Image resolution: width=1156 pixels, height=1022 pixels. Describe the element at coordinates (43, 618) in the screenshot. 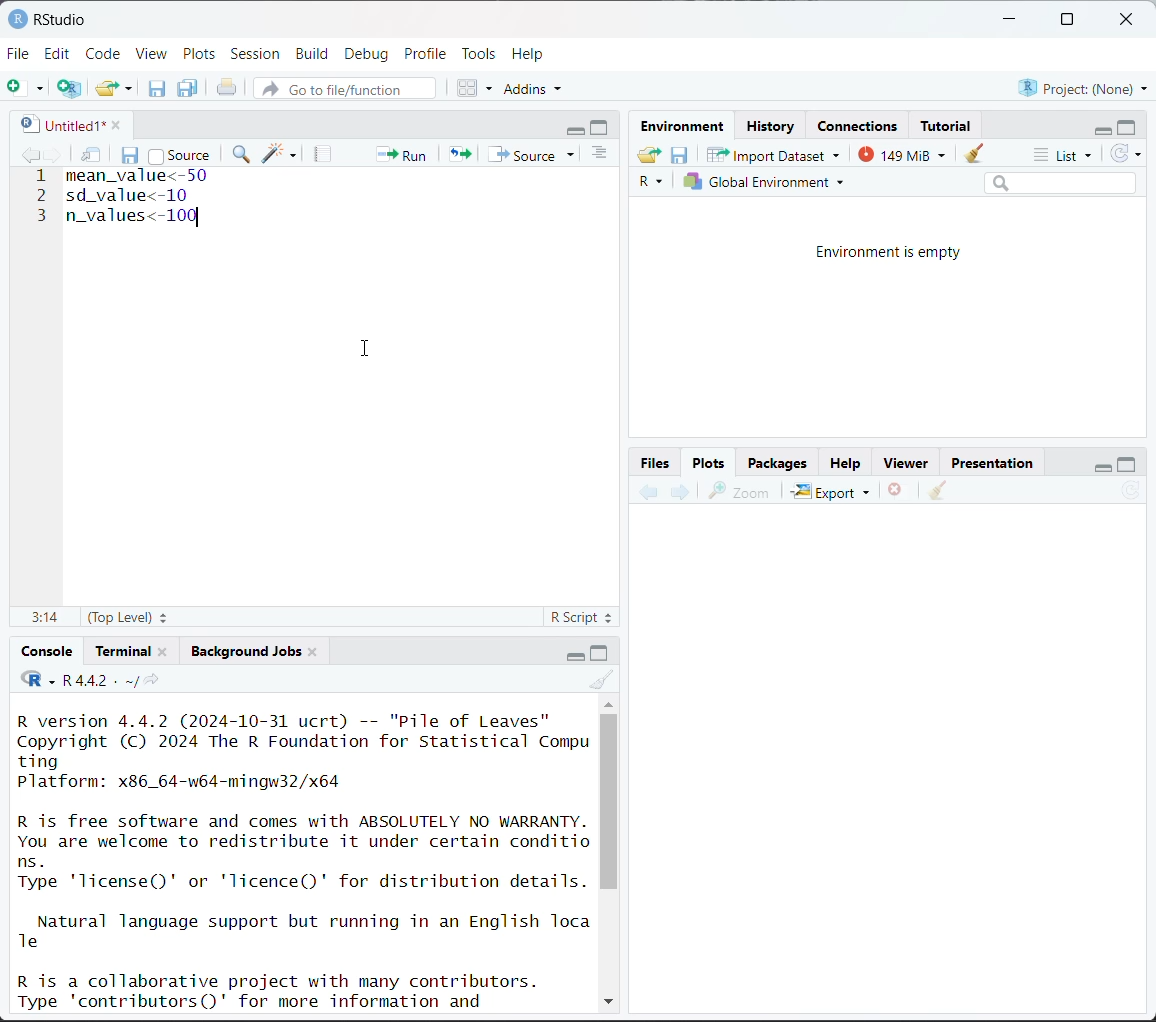

I see `3:14` at that location.